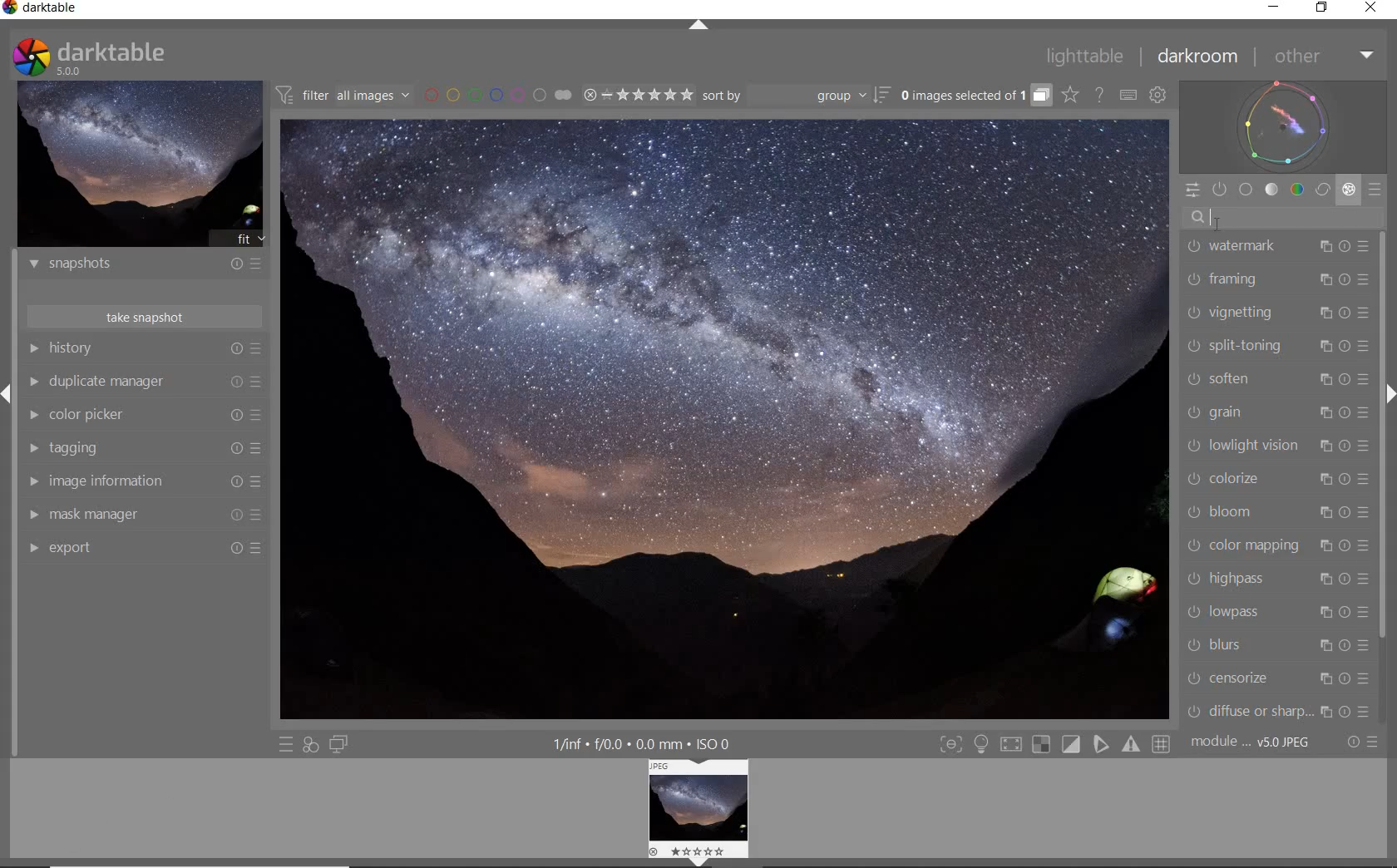  I want to click on SPLIT-TONING, so click(1236, 348).